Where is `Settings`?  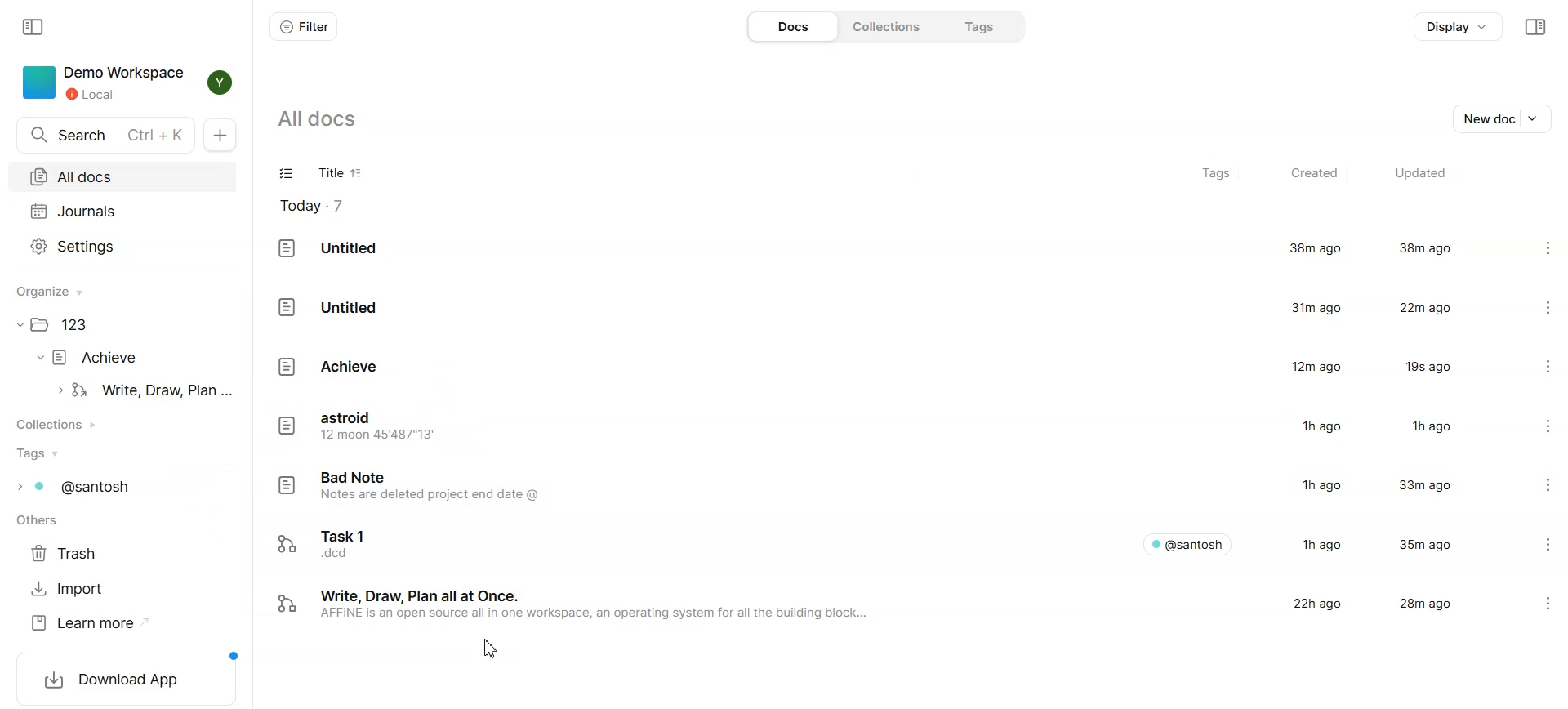 Settings is located at coordinates (122, 245).